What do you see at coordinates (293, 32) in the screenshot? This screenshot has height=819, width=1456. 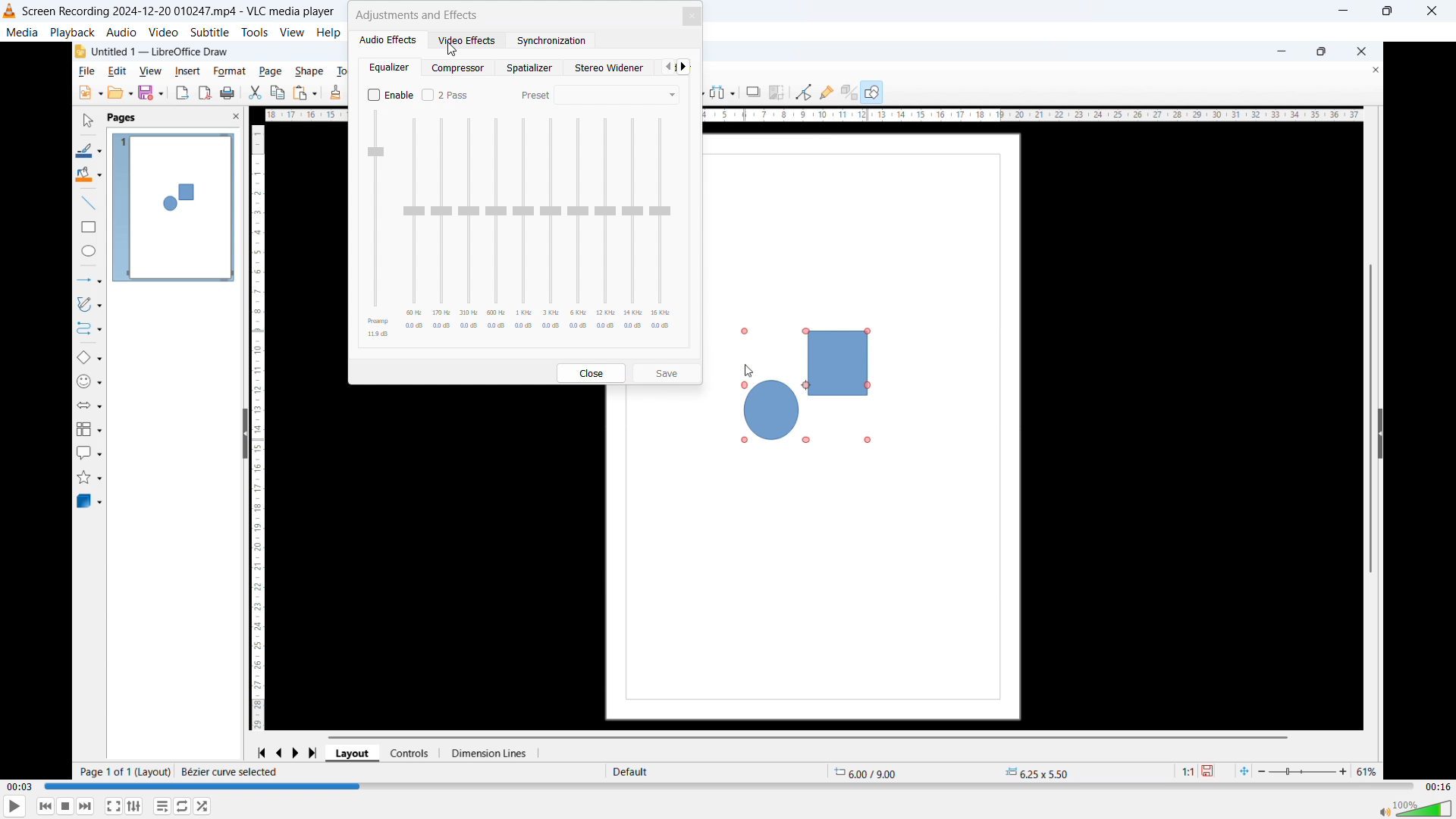 I see `view` at bounding box center [293, 32].